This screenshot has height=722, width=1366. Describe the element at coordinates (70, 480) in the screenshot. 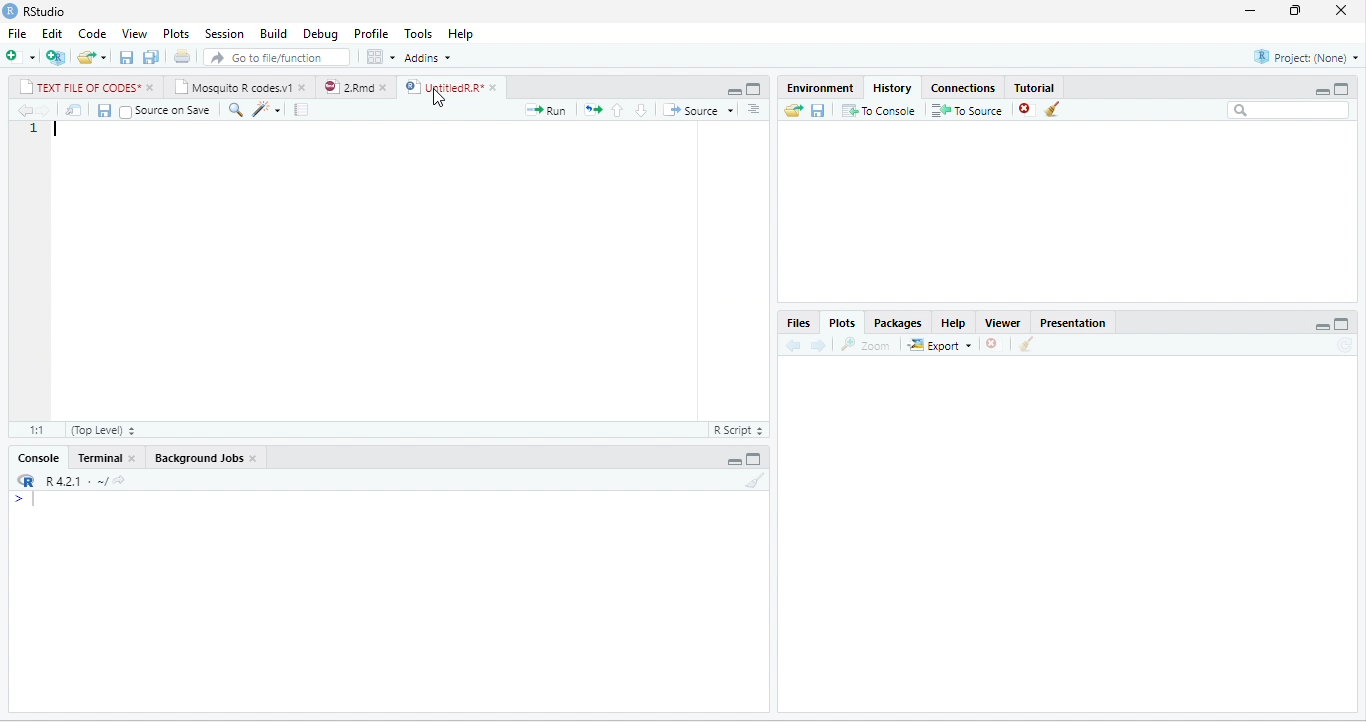

I see `R 4.2.1.~/` at that location.